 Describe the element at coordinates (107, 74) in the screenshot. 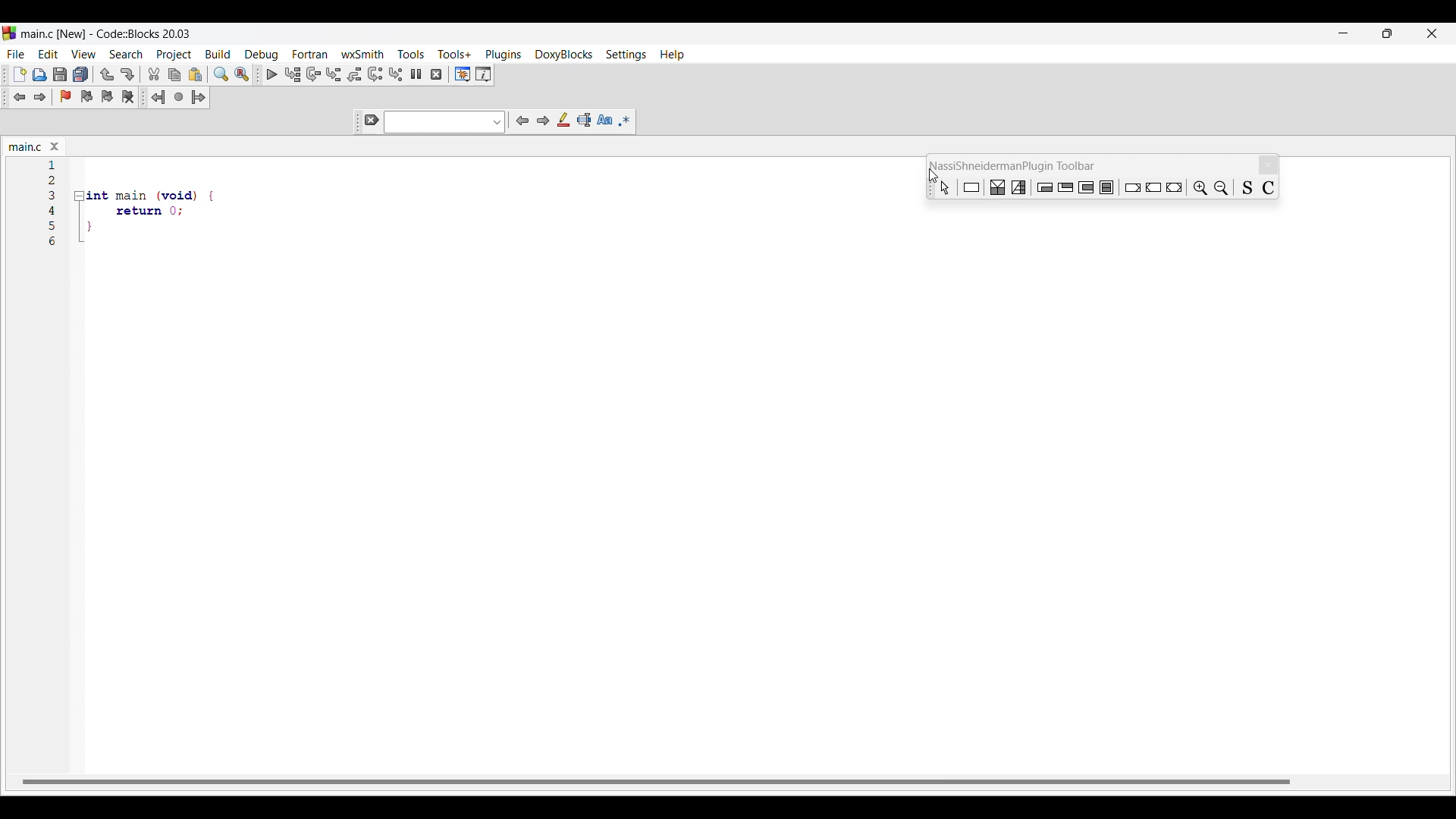

I see `Undo` at that location.